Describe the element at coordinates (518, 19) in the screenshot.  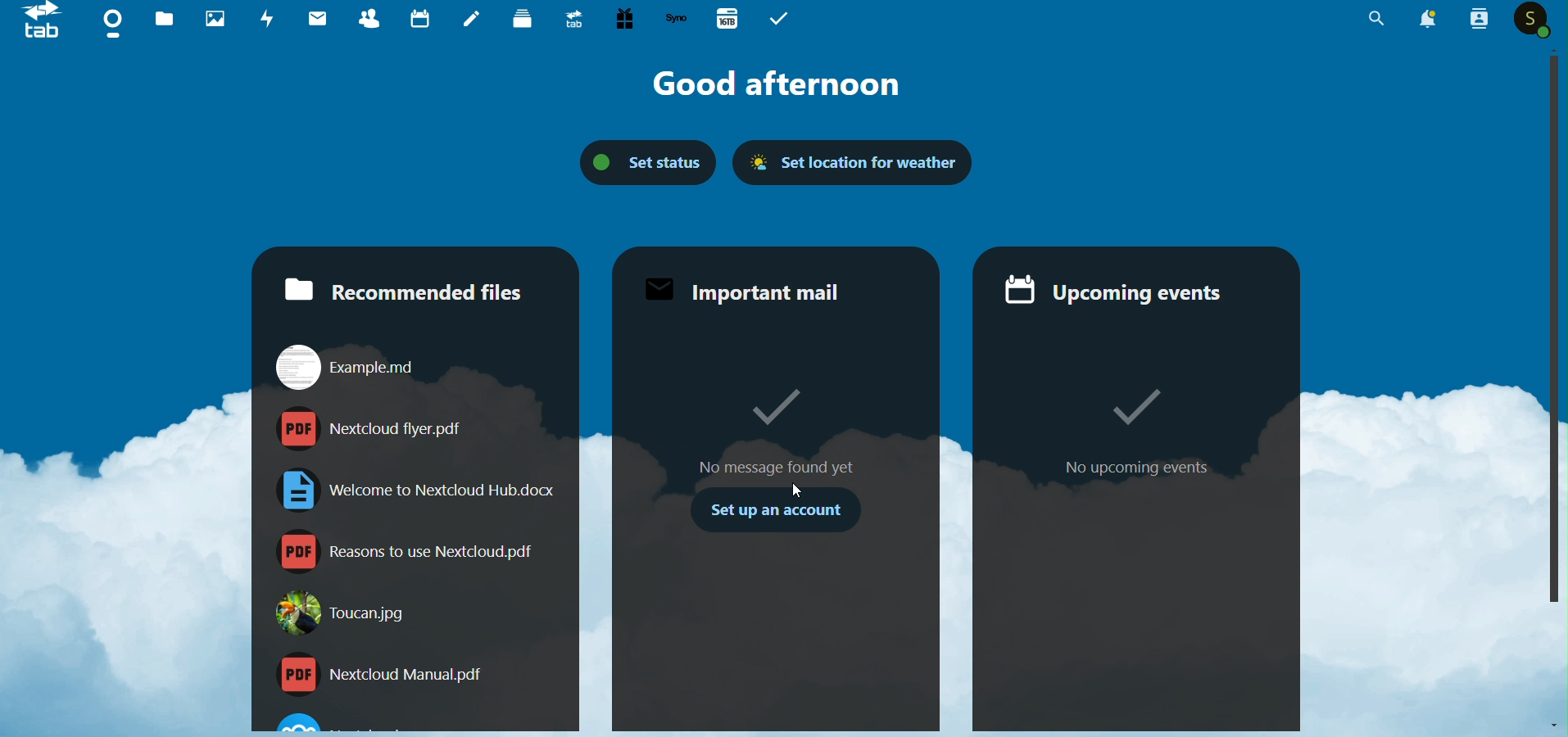
I see `Deck` at that location.